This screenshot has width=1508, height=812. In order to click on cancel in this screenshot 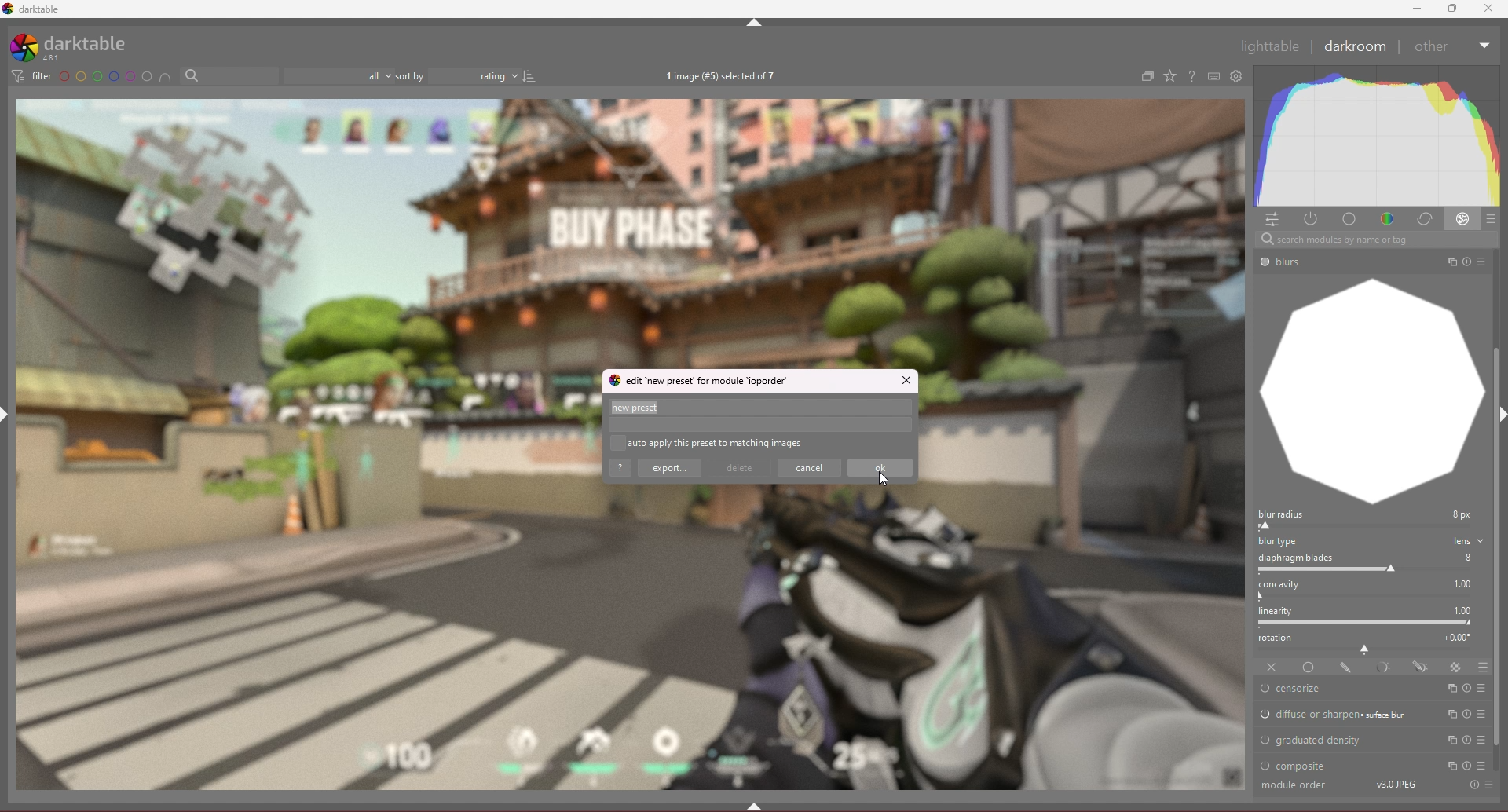, I will do `click(811, 467)`.